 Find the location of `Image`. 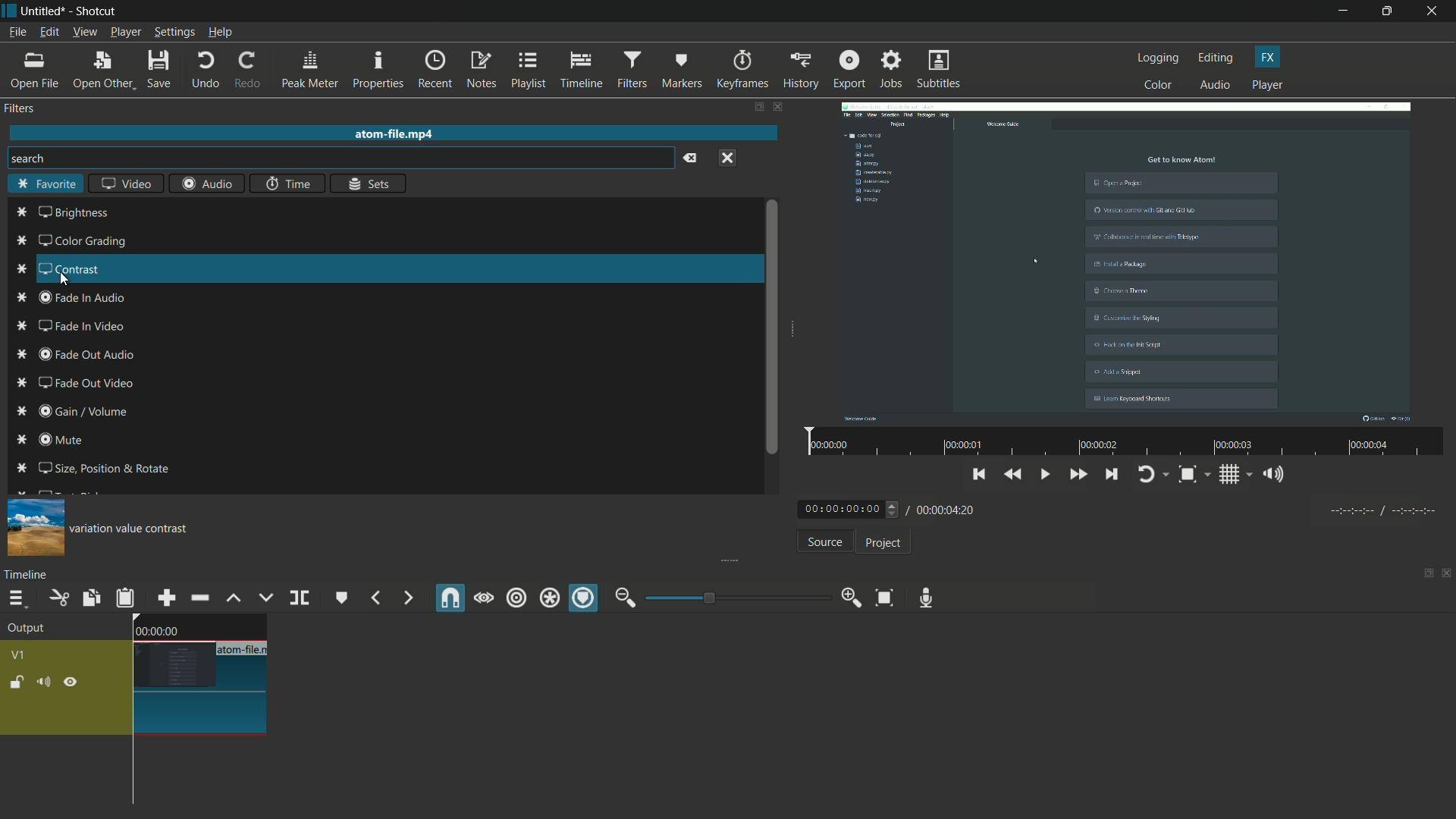

Image is located at coordinates (33, 527).